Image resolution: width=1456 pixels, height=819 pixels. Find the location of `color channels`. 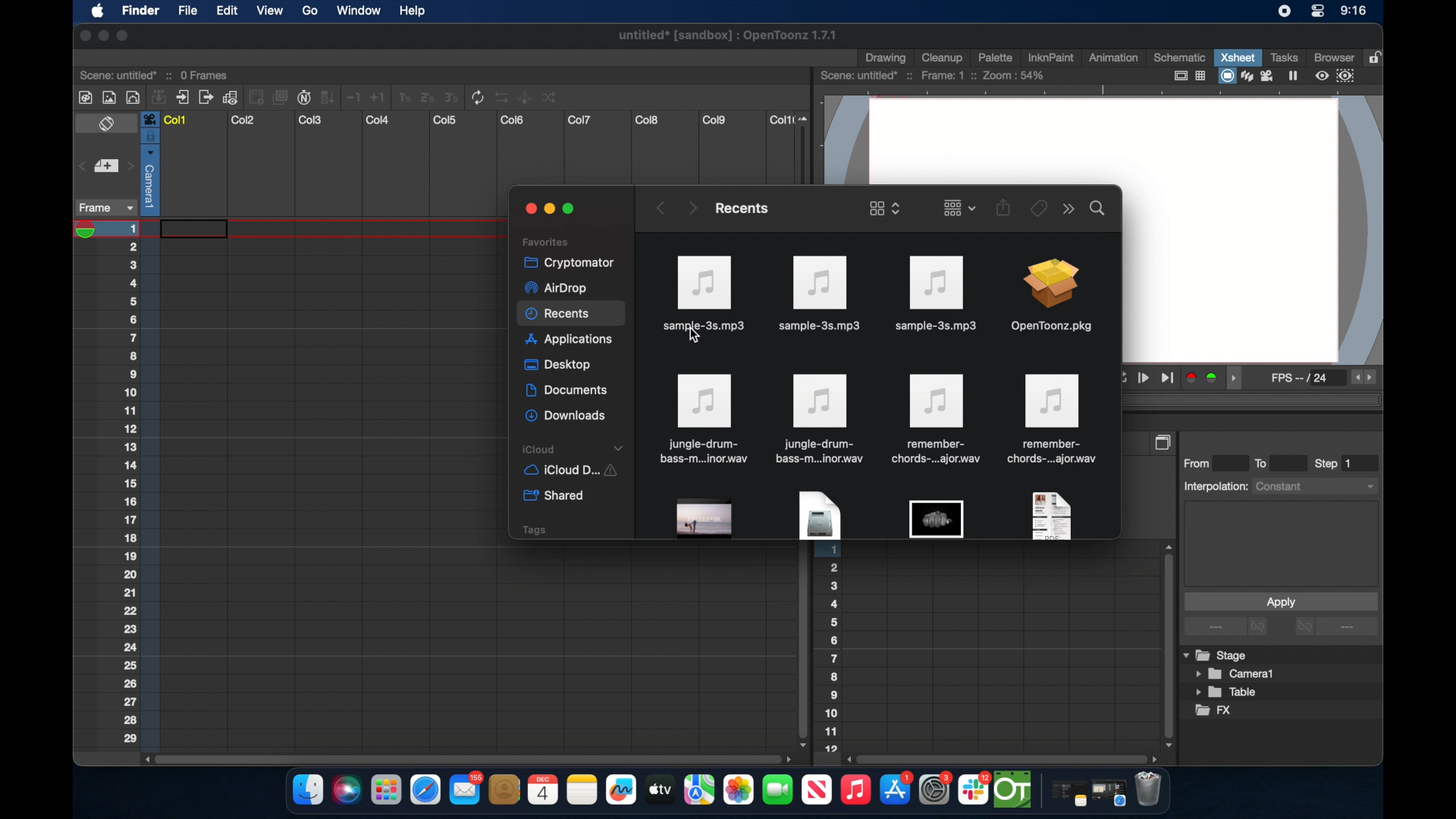

color channels is located at coordinates (1203, 377).